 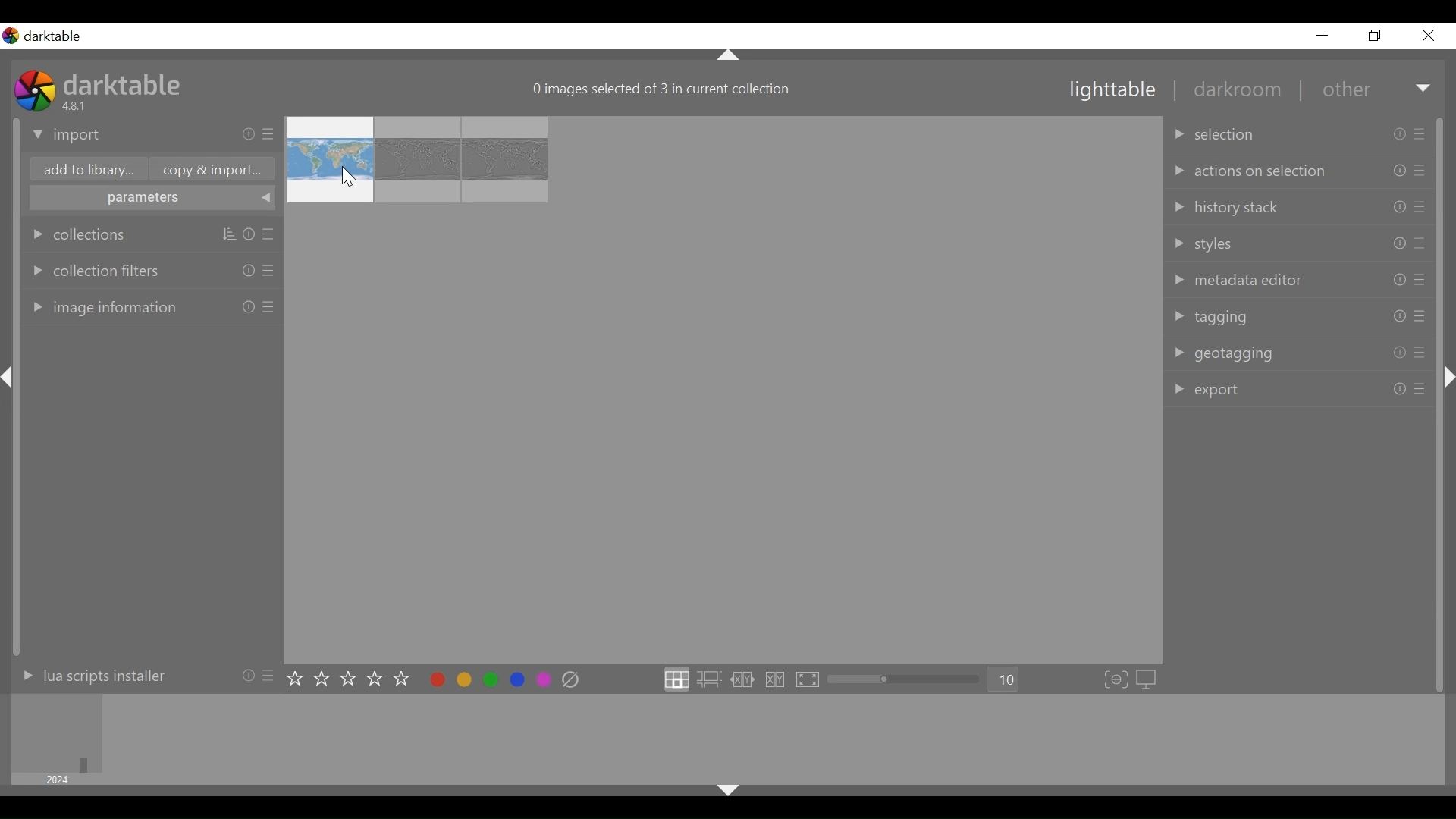 What do you see at coordinates (570, 680) in the screenshot?
I see `clear color labels` at bounding box center [570, 680].